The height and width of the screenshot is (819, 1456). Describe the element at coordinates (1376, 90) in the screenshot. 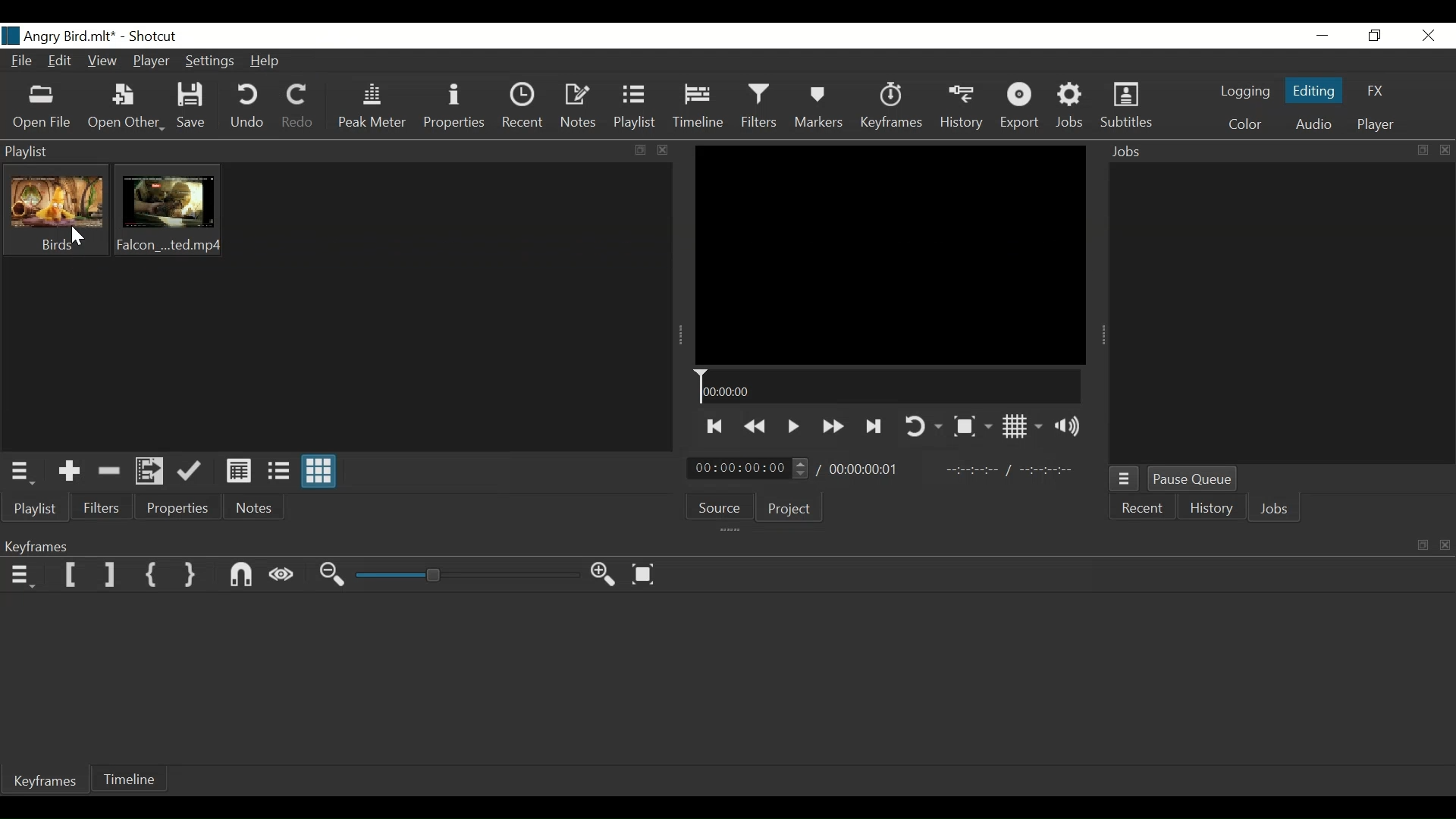

I see `FX` at that location.